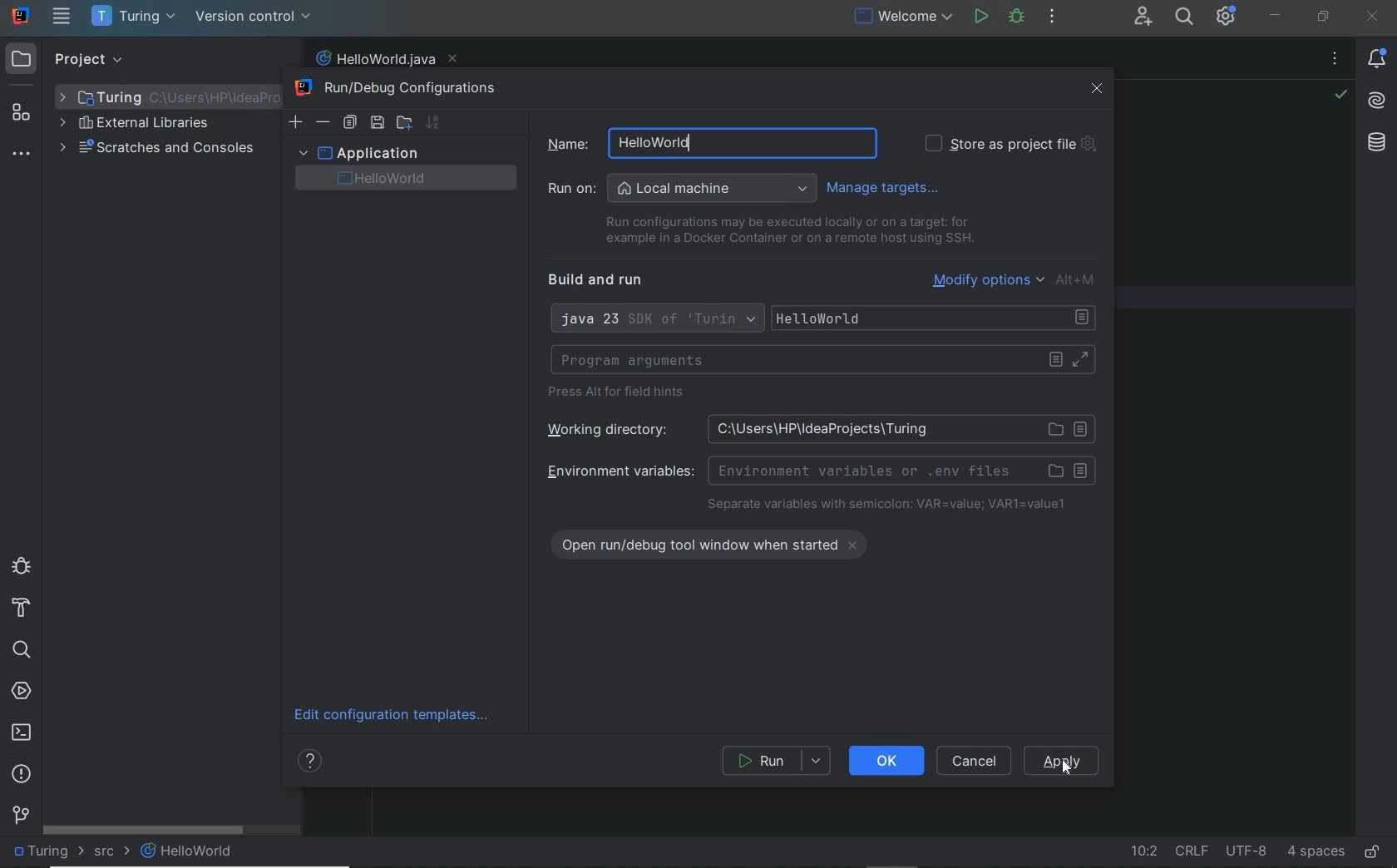 Image resolution: width=1397 pixels, height=868 pixels. Describe the element at coordinates (163, 96) in the screenshot. I see `Project folder` at that location.